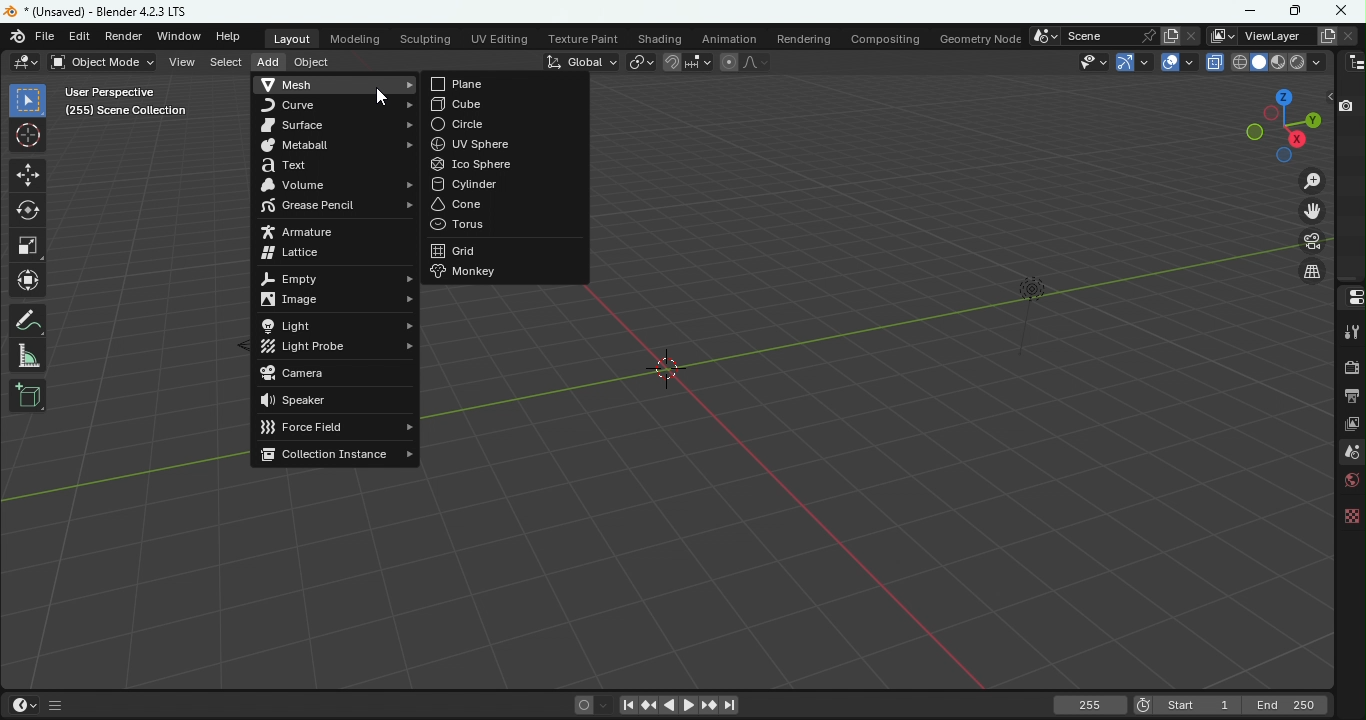  What do you see at coordinates (754, 63) in the screenshot?
I see `Proportional editing falloff` at bounding box center [754, 63].